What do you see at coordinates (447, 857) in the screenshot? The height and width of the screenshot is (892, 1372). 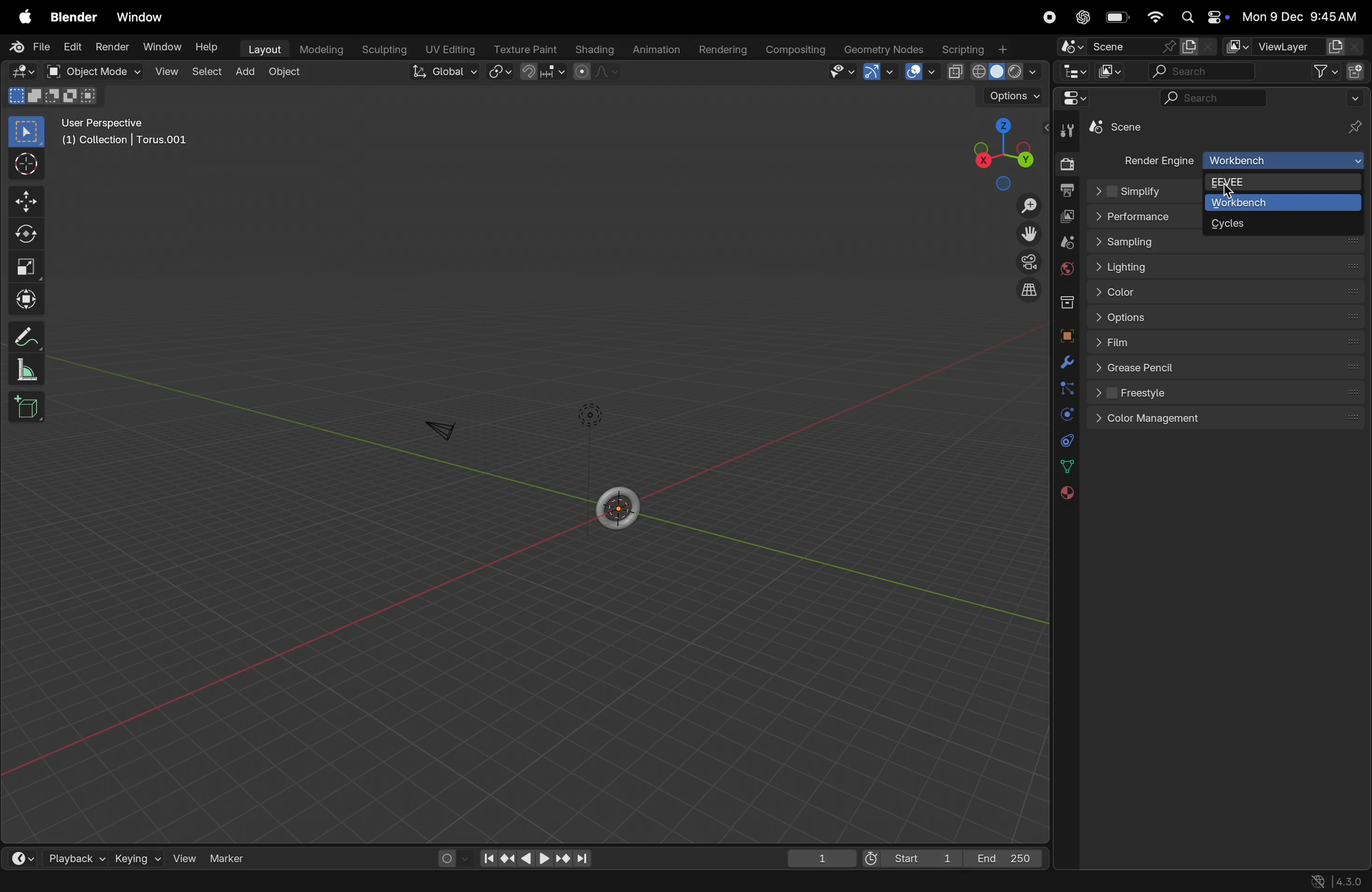 I see `auto keying` at bounding box center [447, 857].